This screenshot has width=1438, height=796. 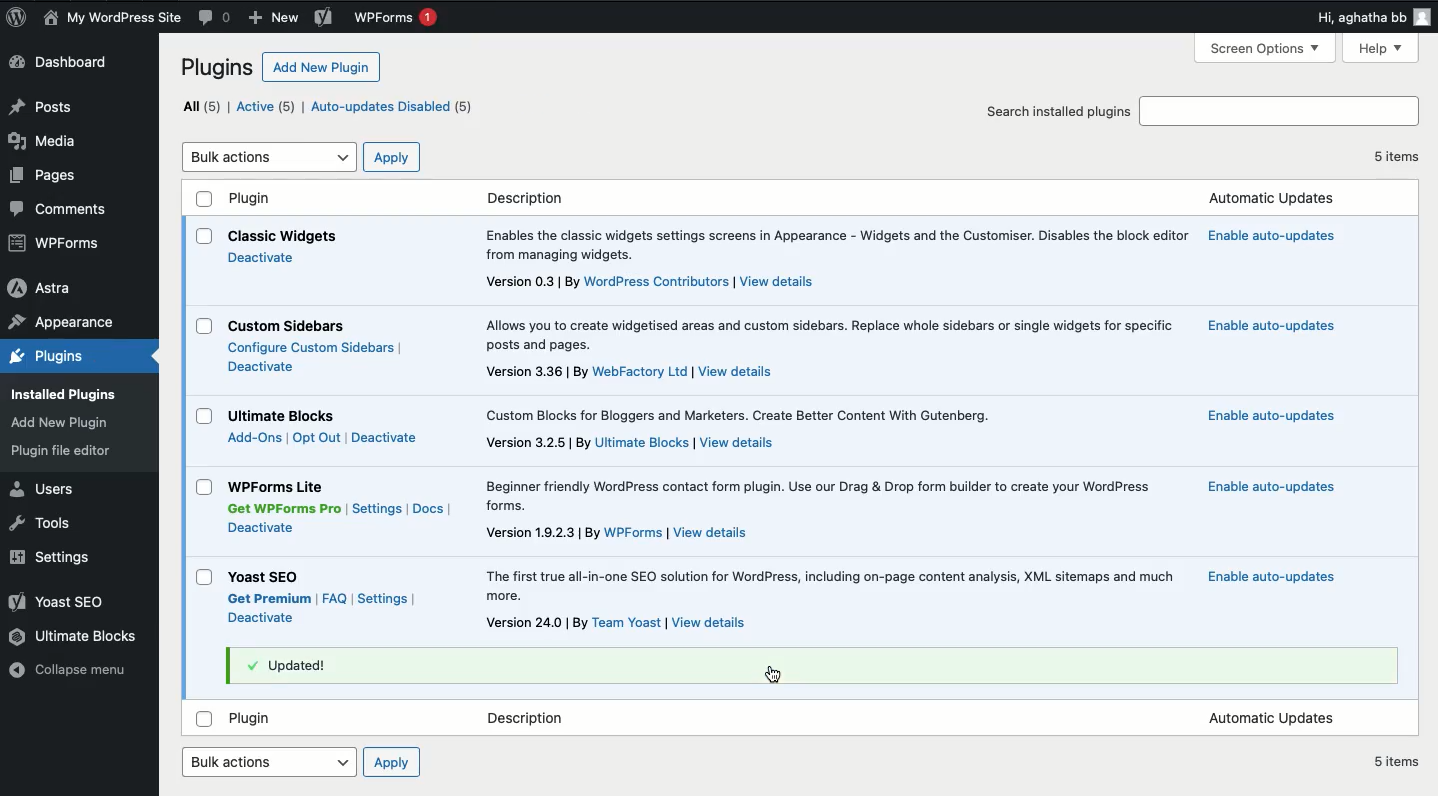 What do you see at coordinates (1397, 761) in the screenshot?
I see `5 items` at bounding box center [1397, 761].